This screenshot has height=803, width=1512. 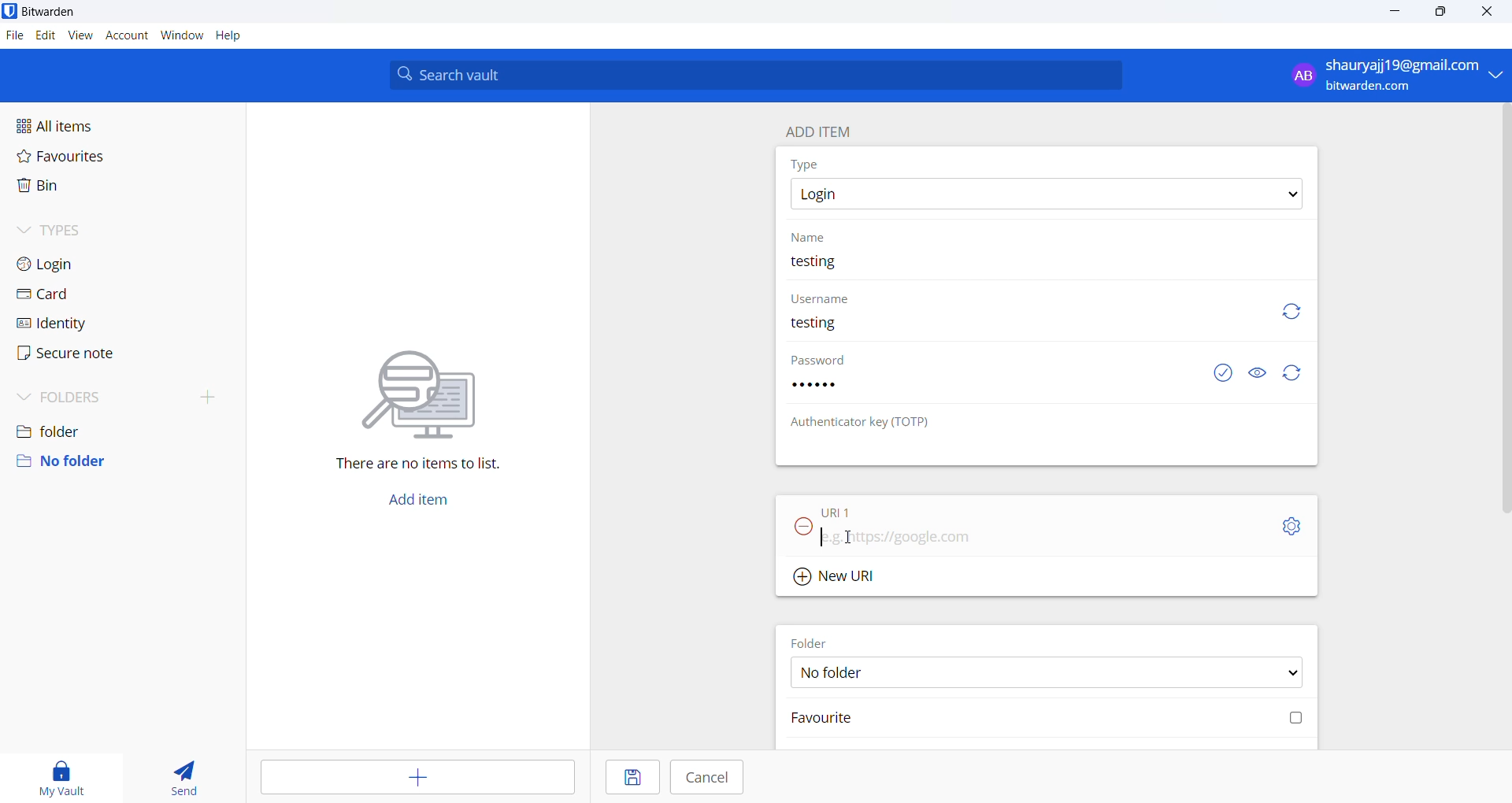 I want to click on secure note, so click(x=80, y=354).